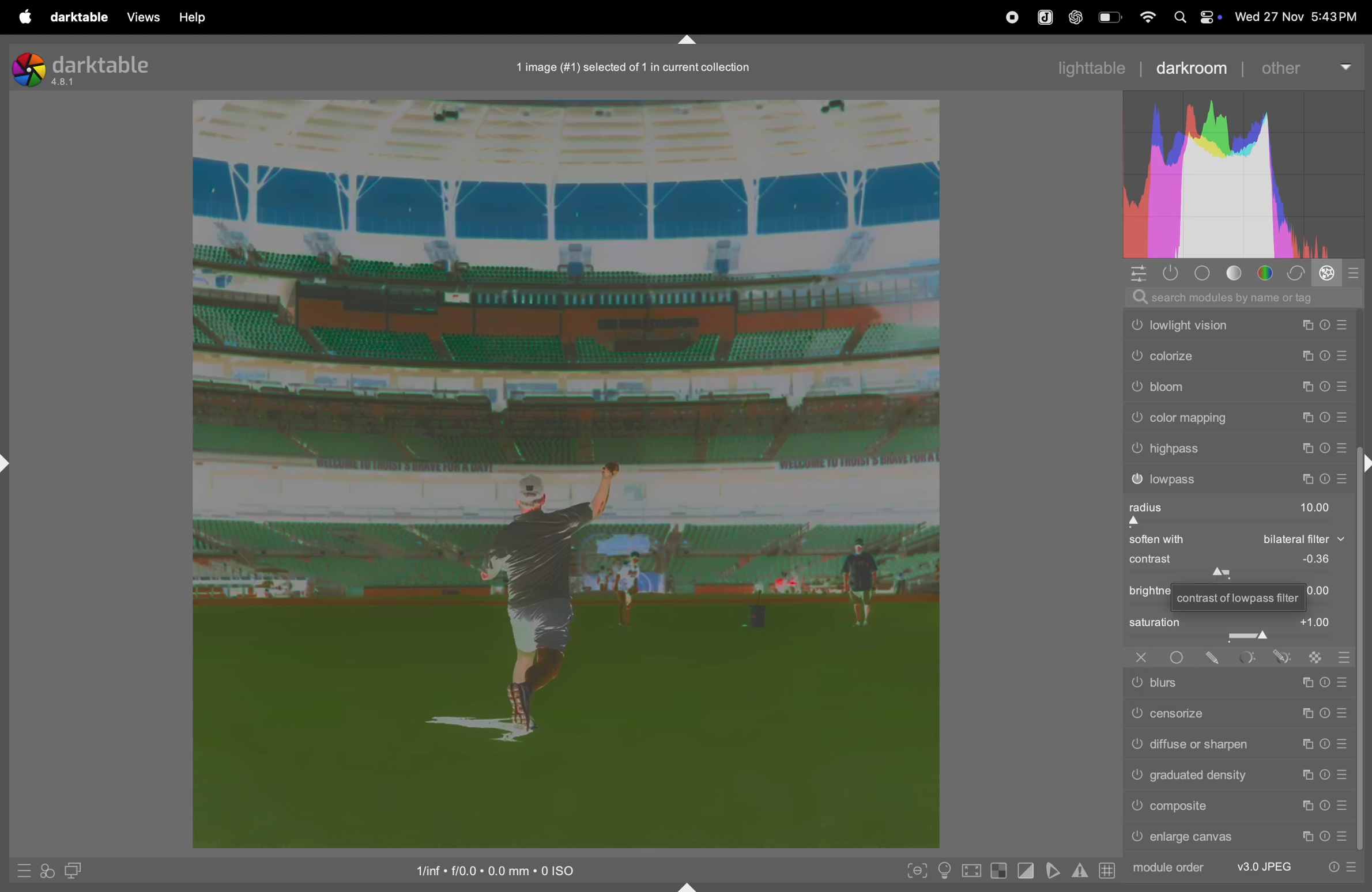 The image size is (1372, 892). I want to click on toggle iso, so click(947, 871).